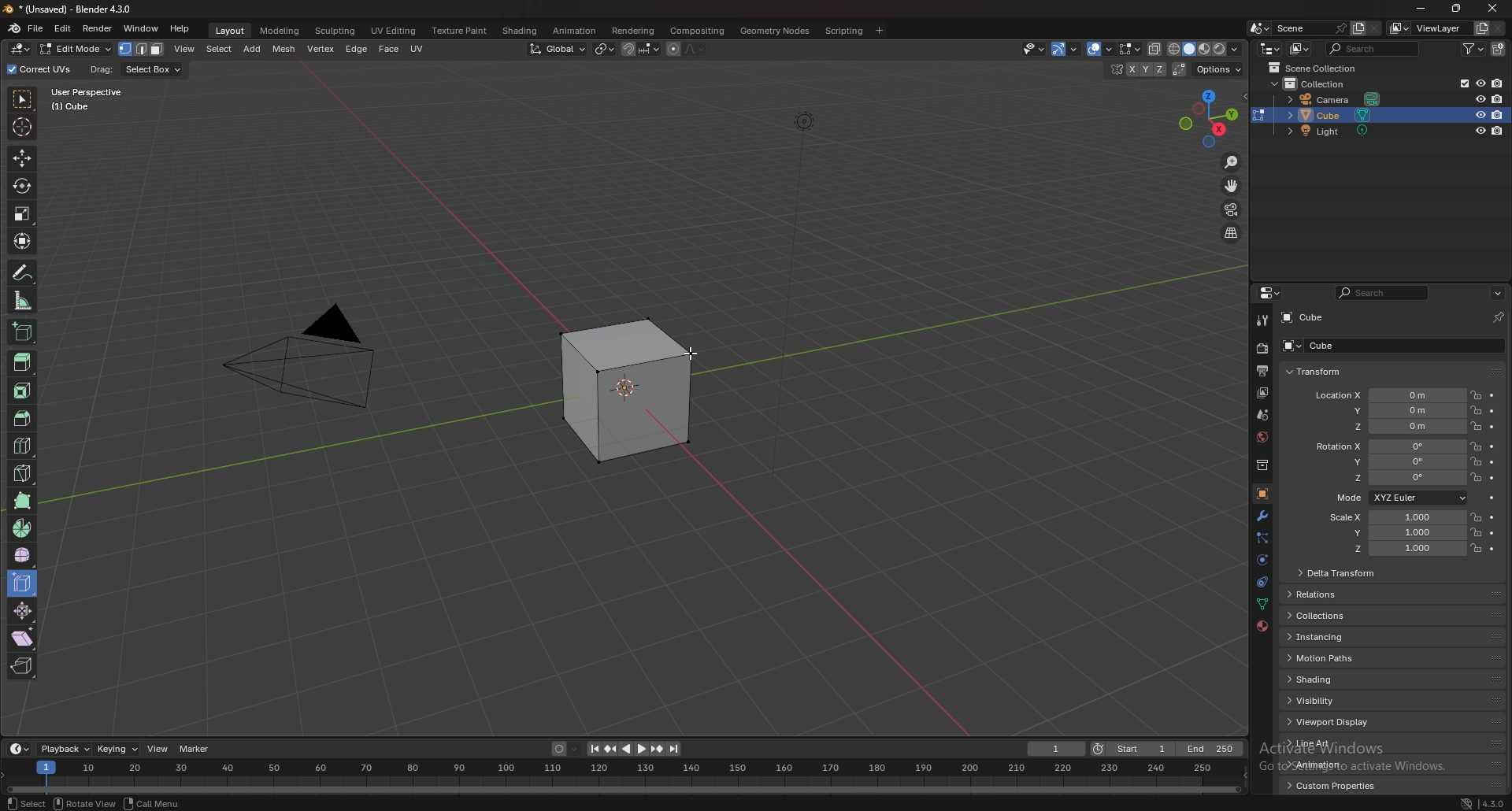  Describe the element at coordinates (605, 49) in the screenshot. I see `transform pivot point` at that location.